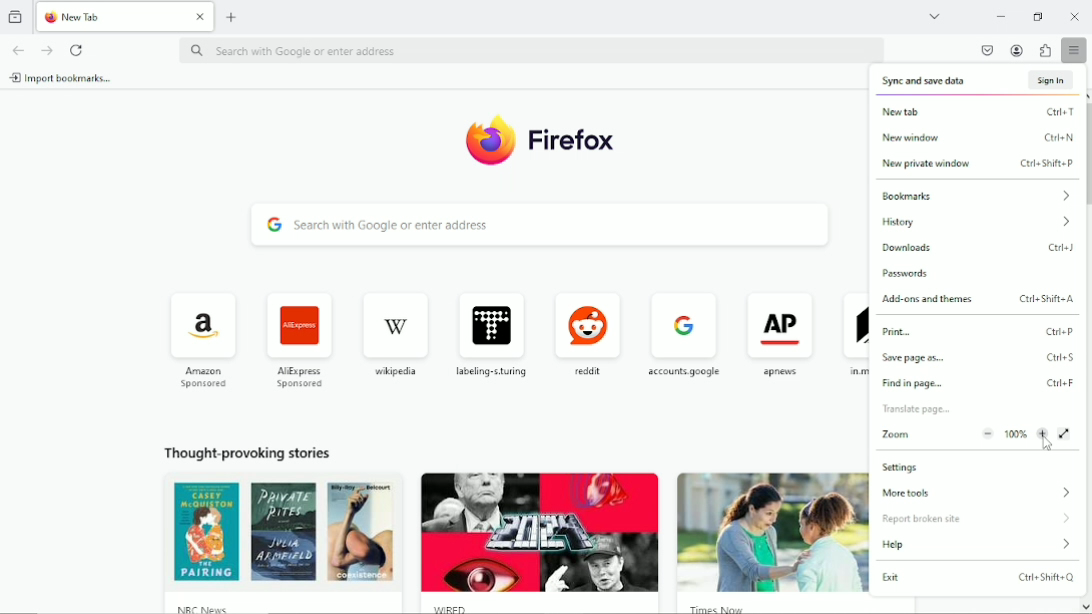 The width and height of the screenshot is (1092, 614). Describe the element at coordinates (1076, 17) in the screenshot. I see `Close` at that location.